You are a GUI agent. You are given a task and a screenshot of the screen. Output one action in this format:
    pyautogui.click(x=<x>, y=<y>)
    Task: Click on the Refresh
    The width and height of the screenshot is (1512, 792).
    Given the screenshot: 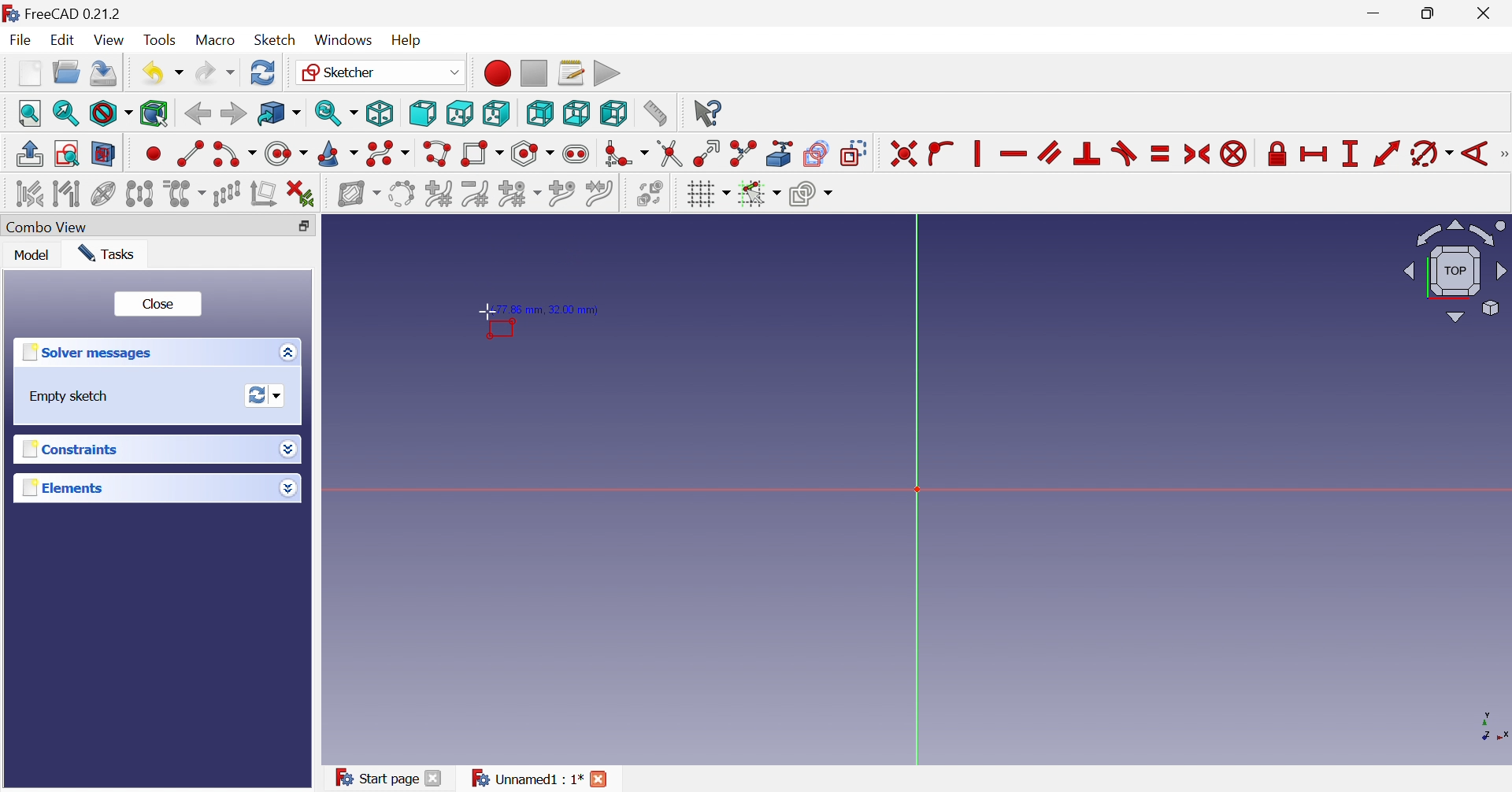 What is the action you would take?
    pyautogui.click(x=263, y=72)
    